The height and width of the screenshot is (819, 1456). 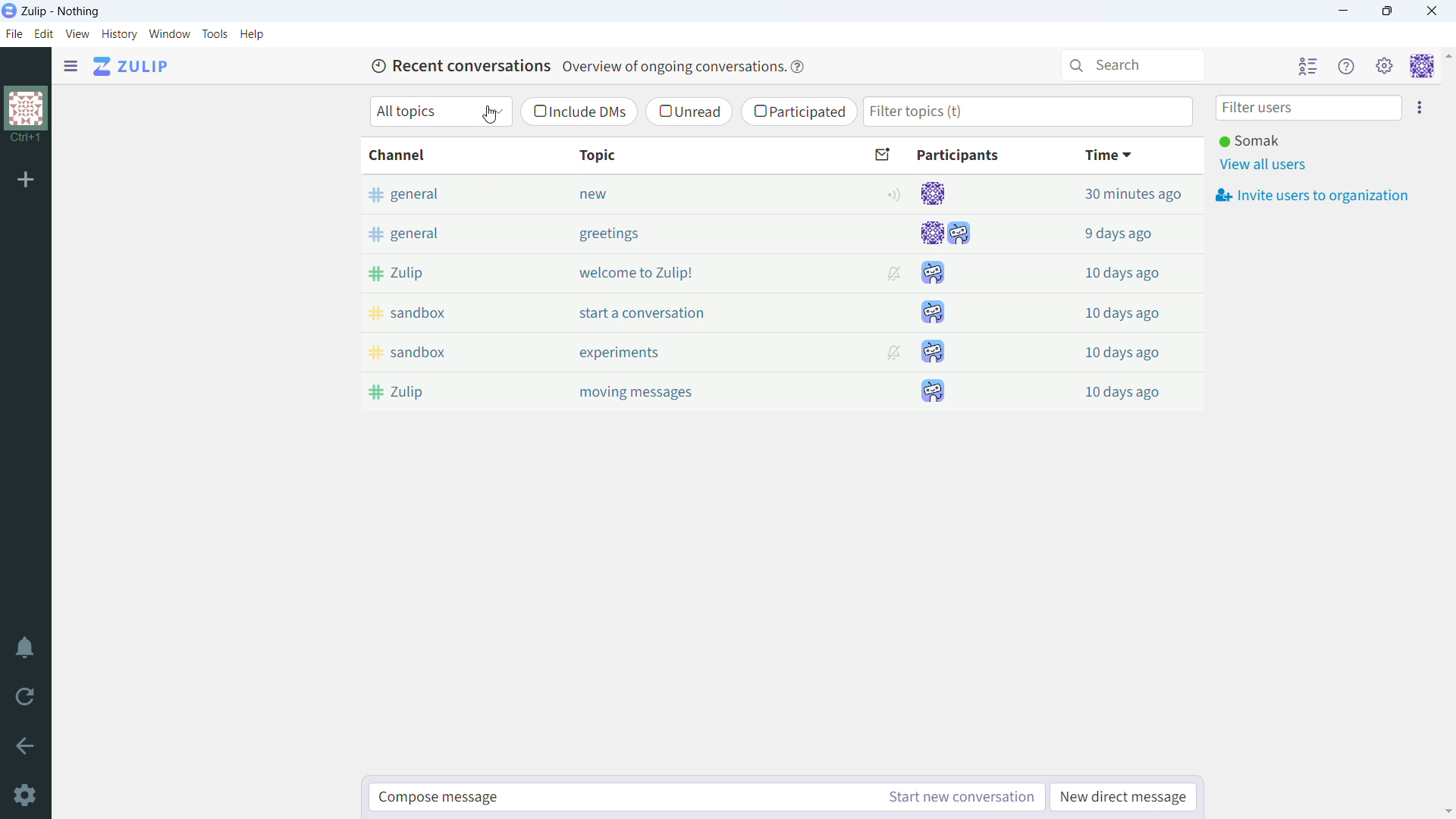 What do you see at coordinates (895, 274) in the screenshot?
I see `muted` at bounding box center [895, 274].